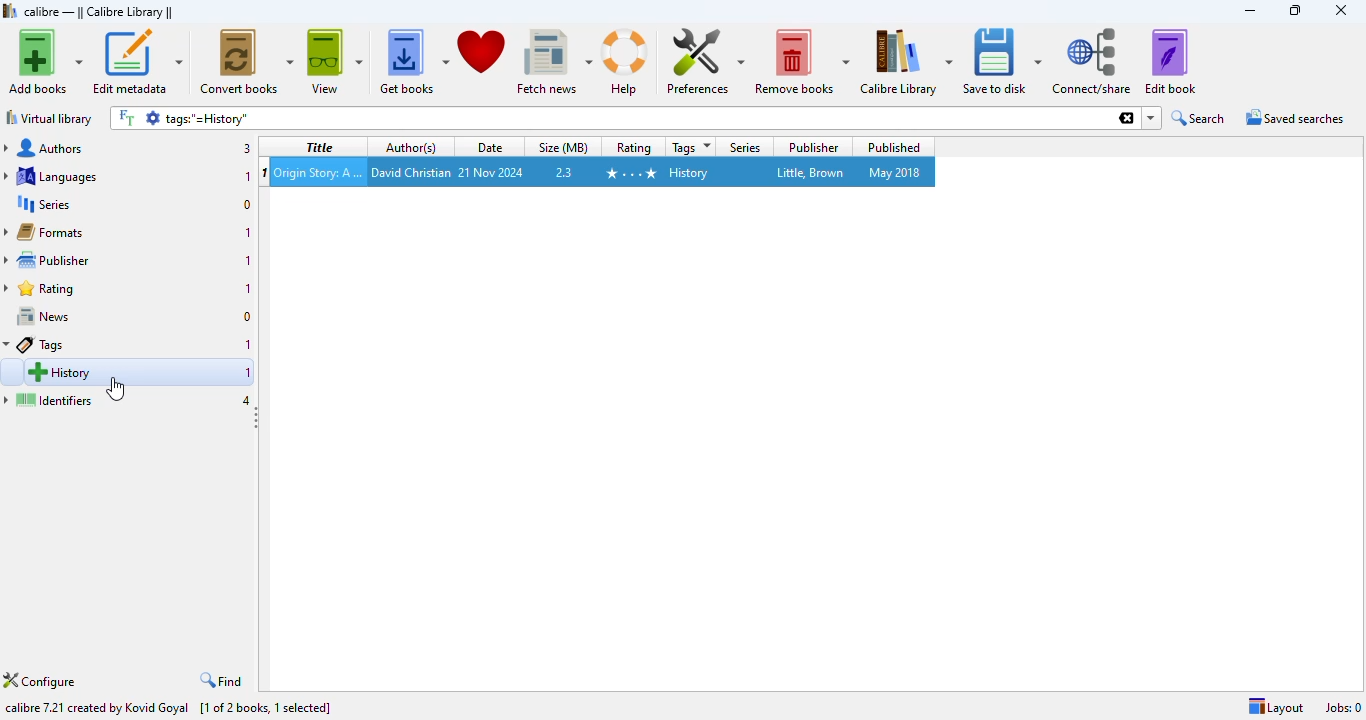  What do you see at coordinates (1152, 118) in the screenshot?
I see `dropdown` at bounding box center [1152, 118].